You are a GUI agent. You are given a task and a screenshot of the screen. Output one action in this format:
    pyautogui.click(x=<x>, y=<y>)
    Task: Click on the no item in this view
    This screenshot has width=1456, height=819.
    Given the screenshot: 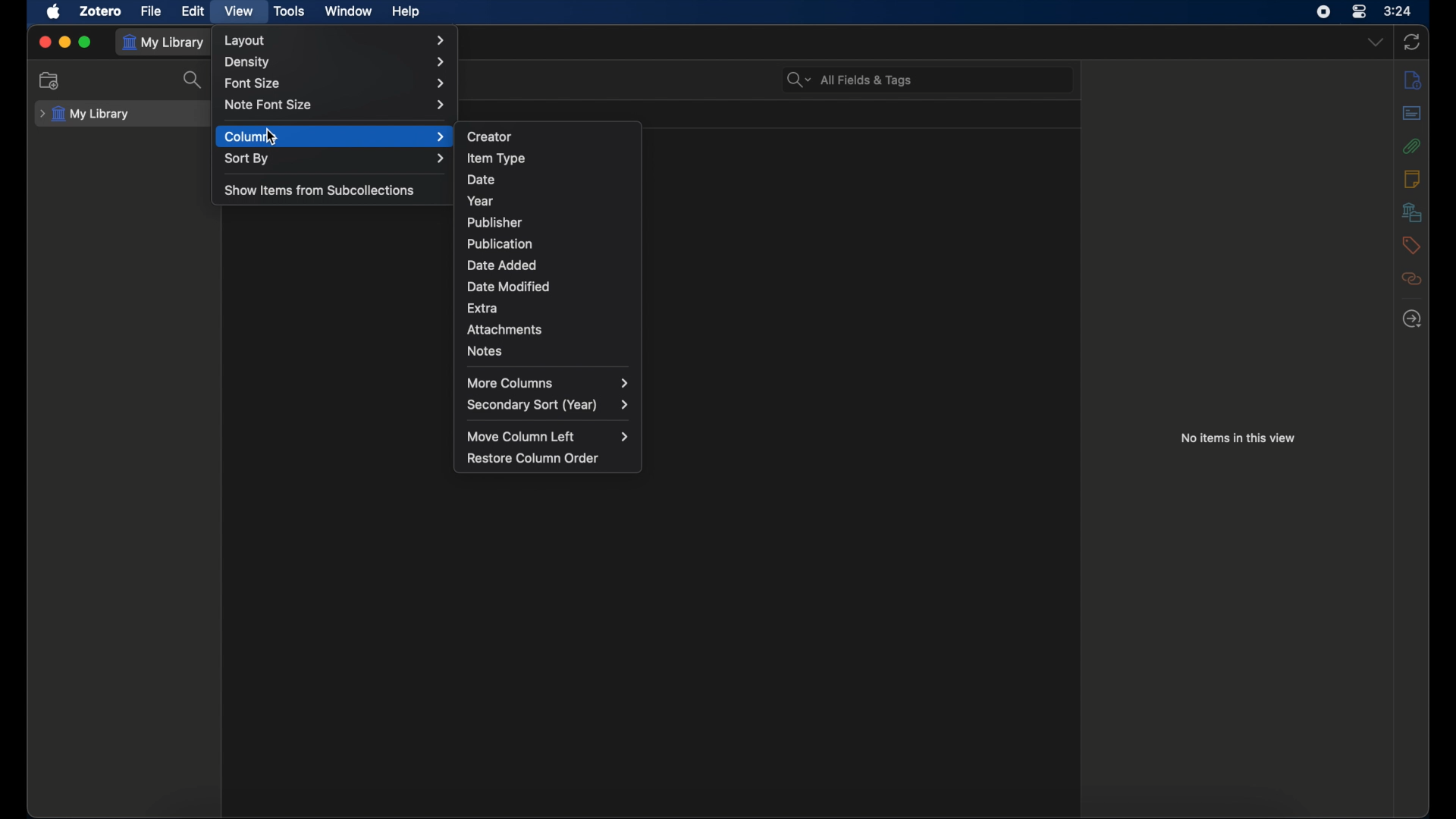 What is the action you would take?
    pyautogui.click(x=1238, y=438)
    